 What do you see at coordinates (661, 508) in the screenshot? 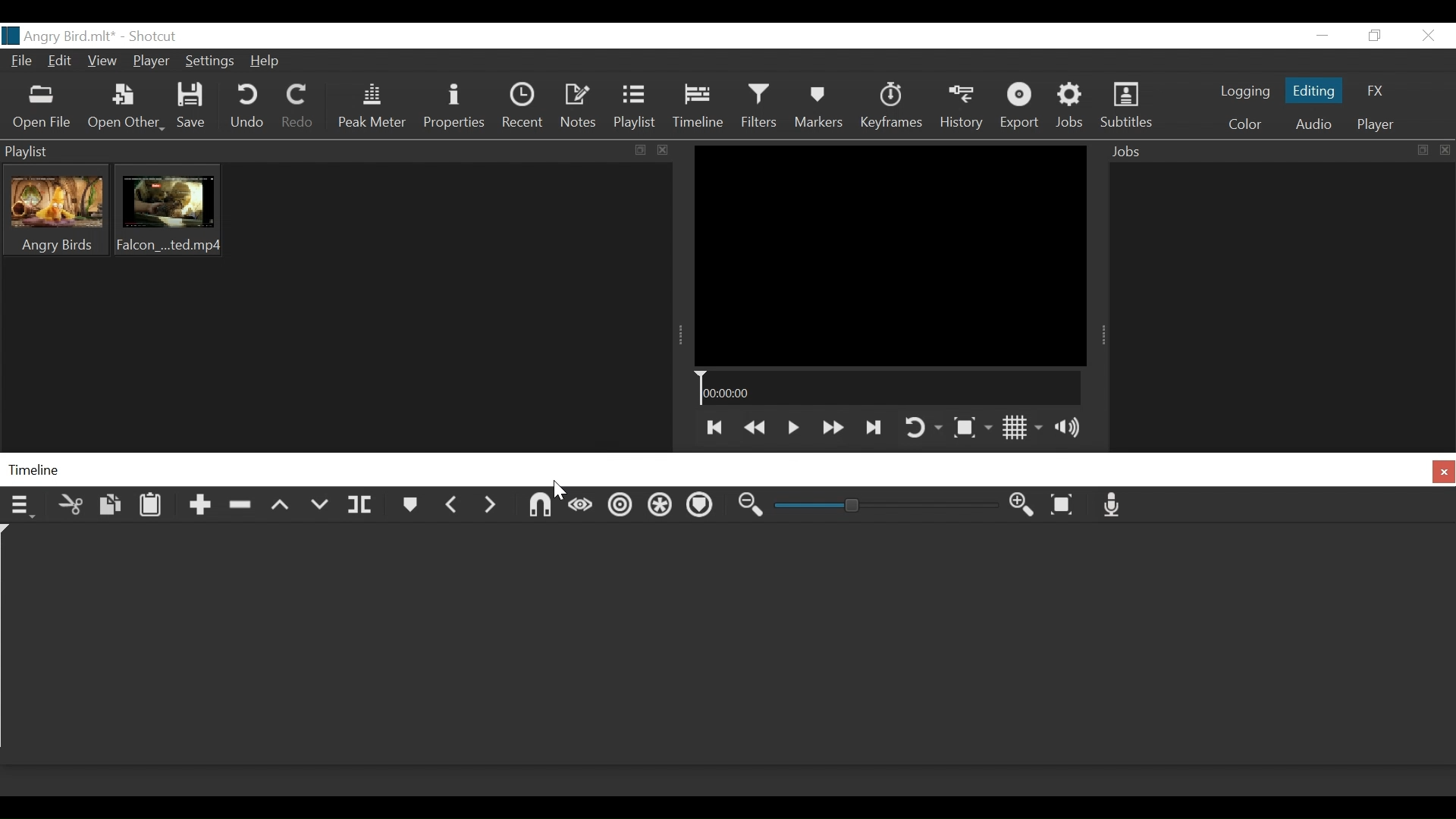
I see `Ripple all tracks` at bounding box center [661, 508].